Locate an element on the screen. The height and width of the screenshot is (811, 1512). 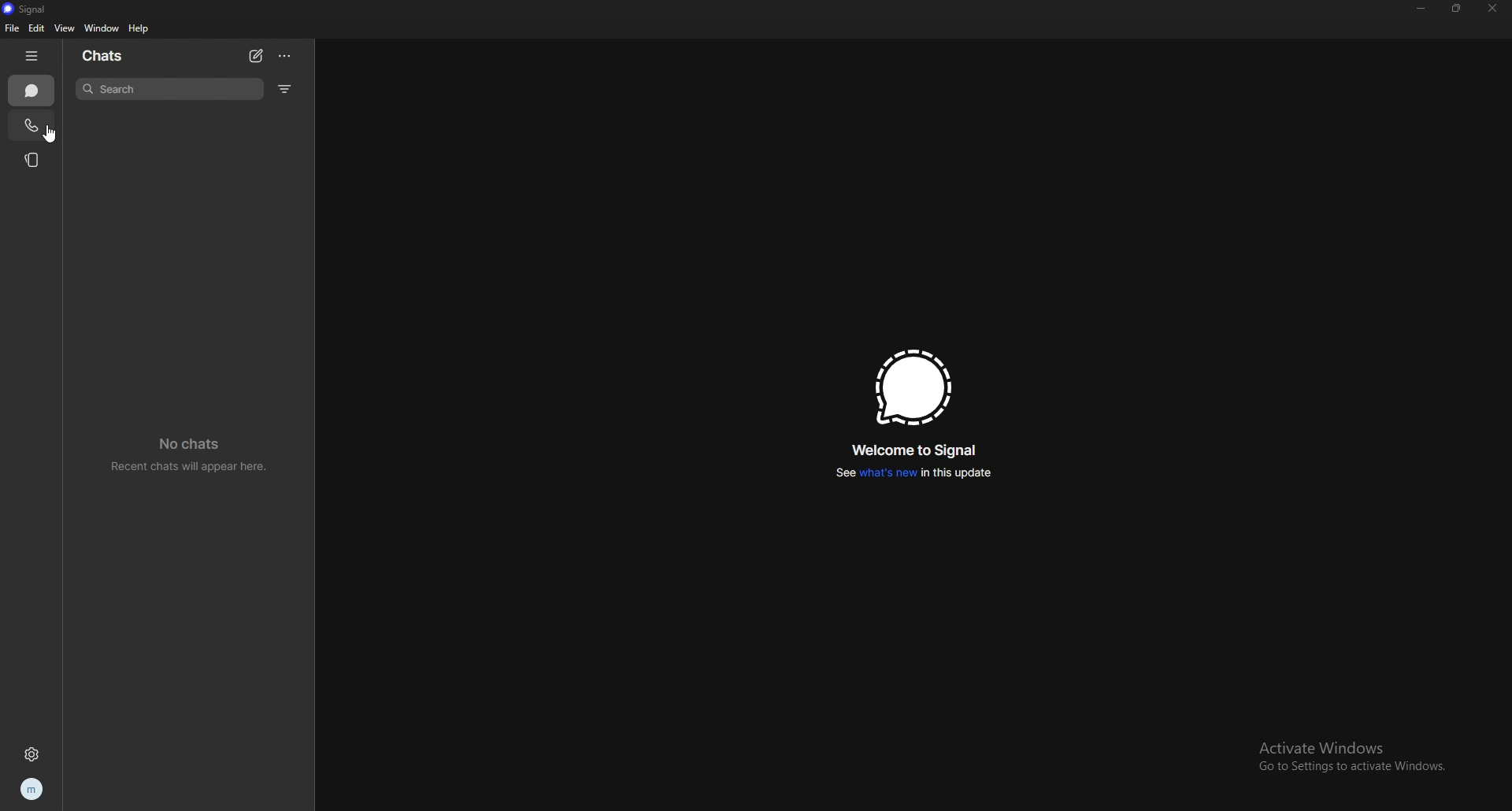
minimize is located at coordinates (1421, 9).